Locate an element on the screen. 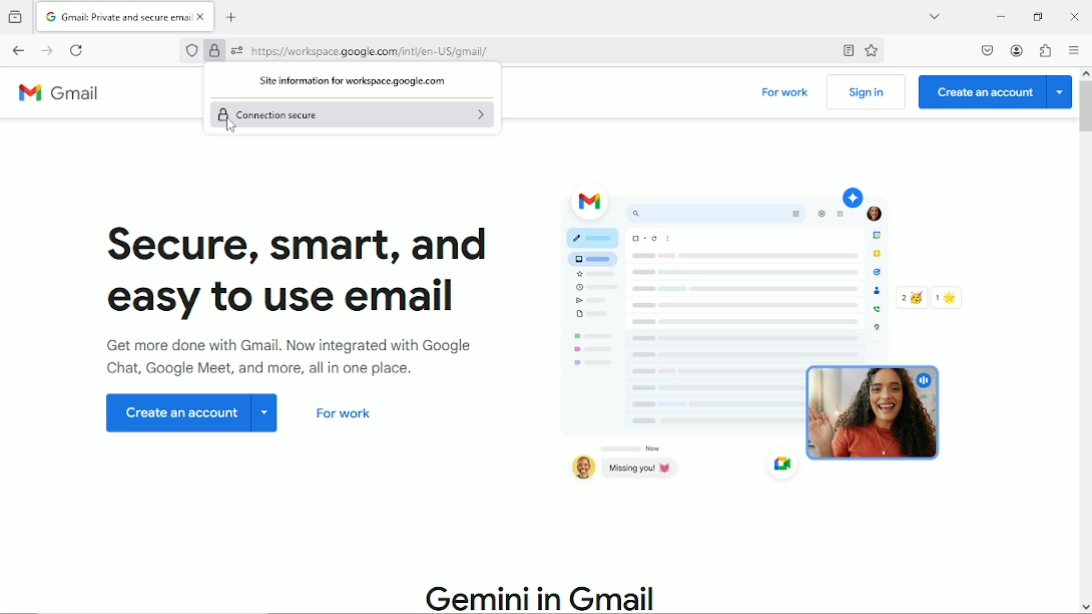 The height and width of the screenshot is (614, 1092). Vertical scrollbar is located at coordinates (1085, 109).